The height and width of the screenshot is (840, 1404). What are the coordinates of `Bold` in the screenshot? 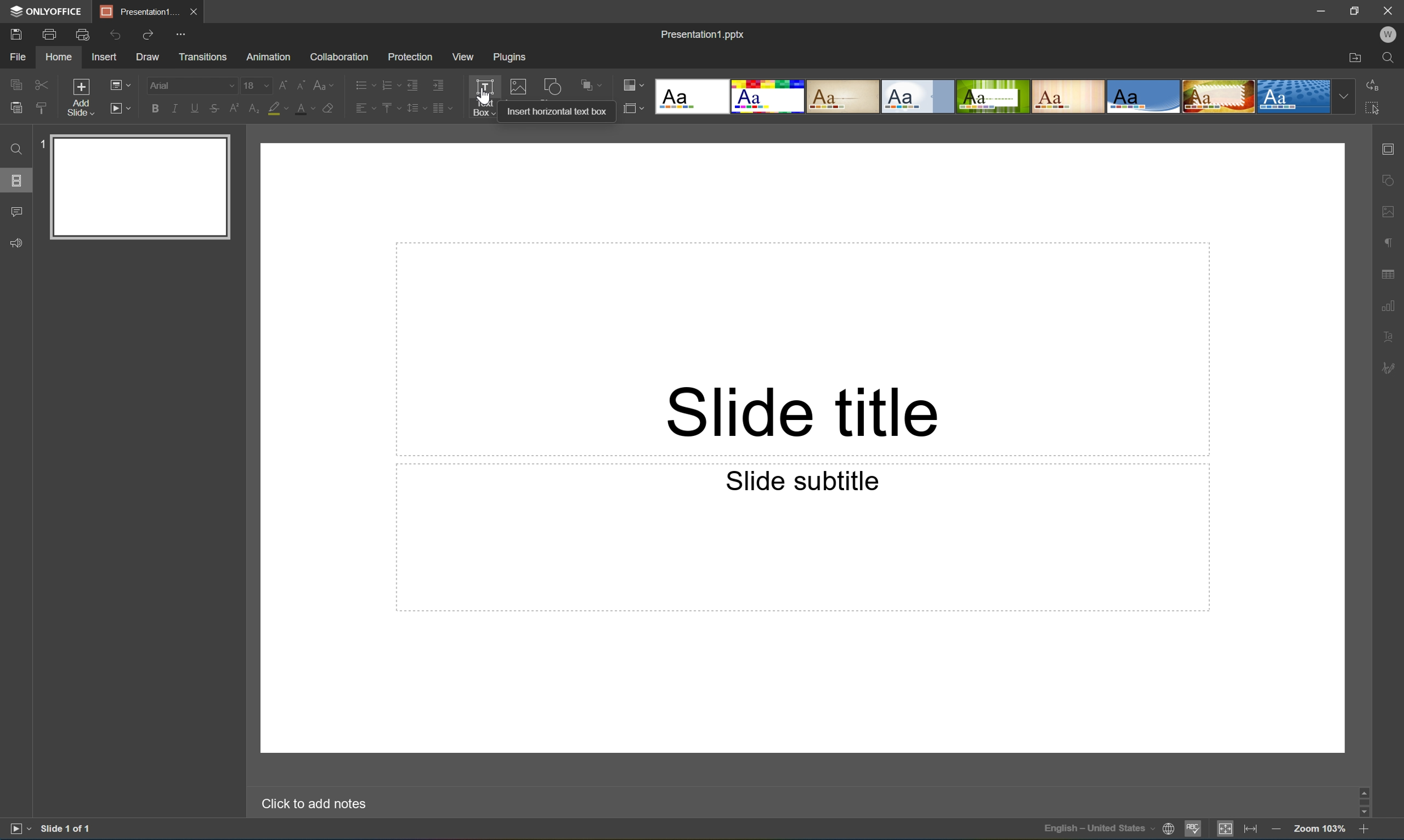 It's located at (156, 106).